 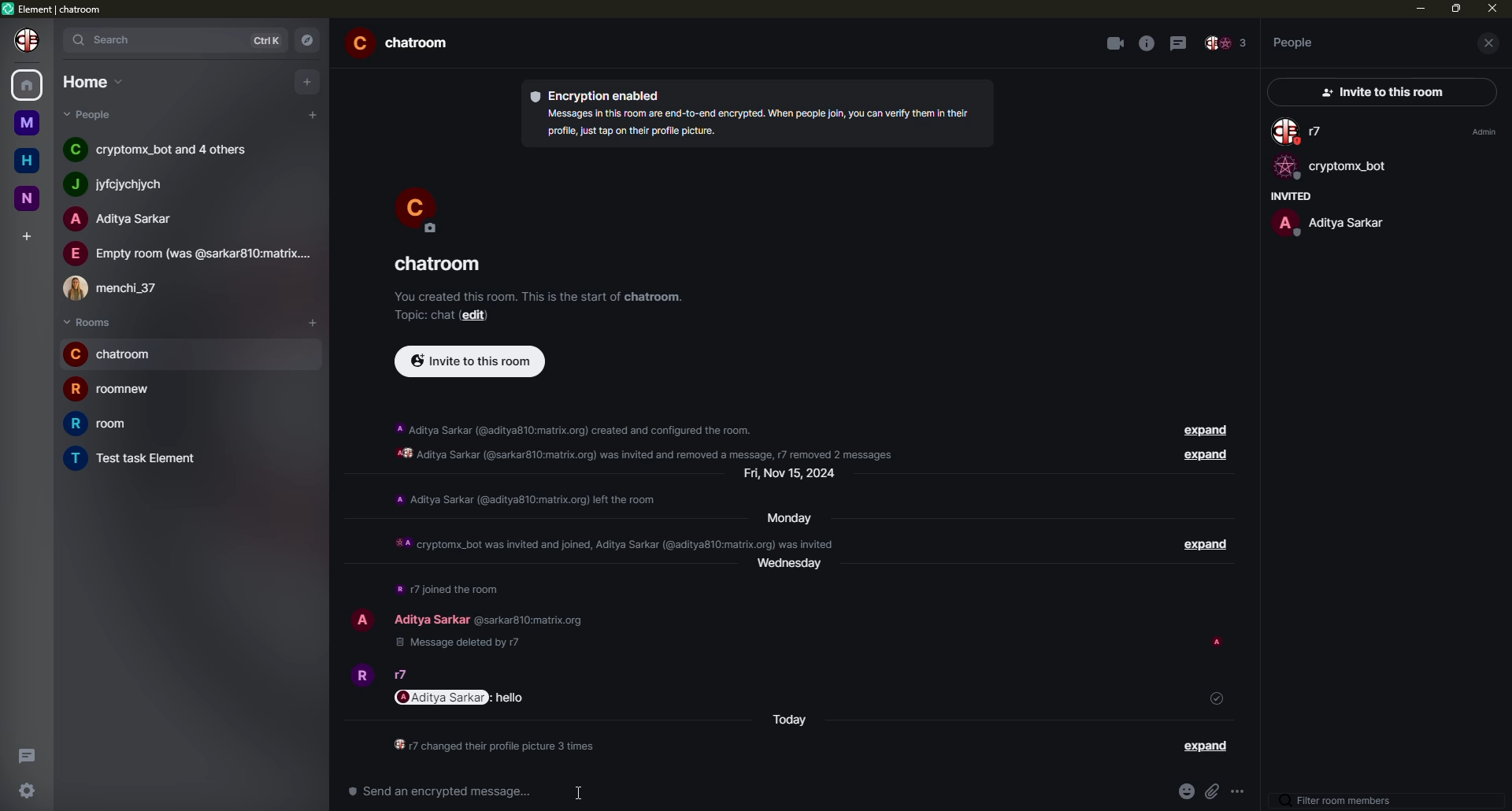 I want to click on room, so click(x=115, y=354).